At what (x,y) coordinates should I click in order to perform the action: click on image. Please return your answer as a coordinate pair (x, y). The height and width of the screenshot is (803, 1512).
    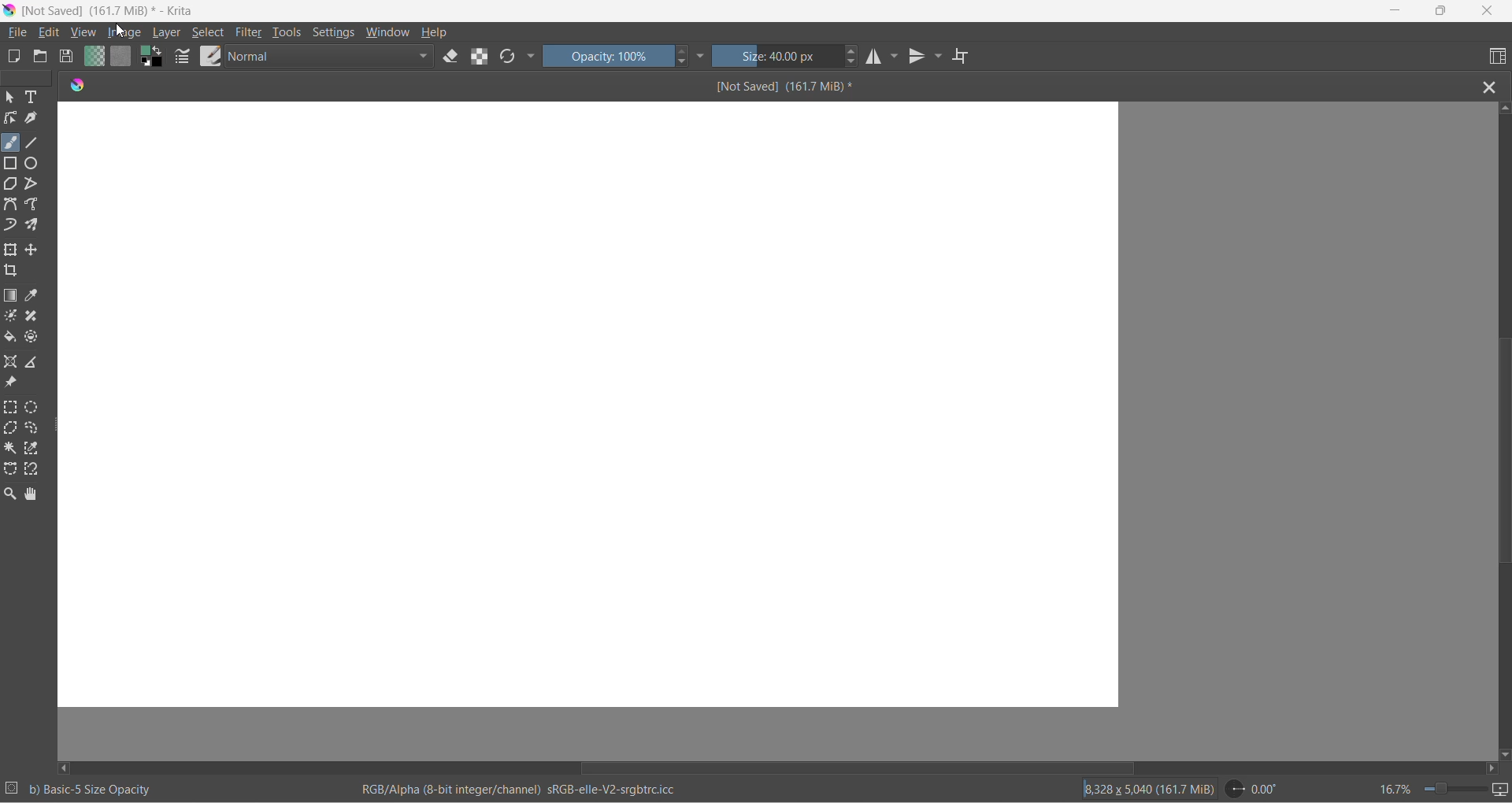
    Looking at the image, I should click on (136, 32).